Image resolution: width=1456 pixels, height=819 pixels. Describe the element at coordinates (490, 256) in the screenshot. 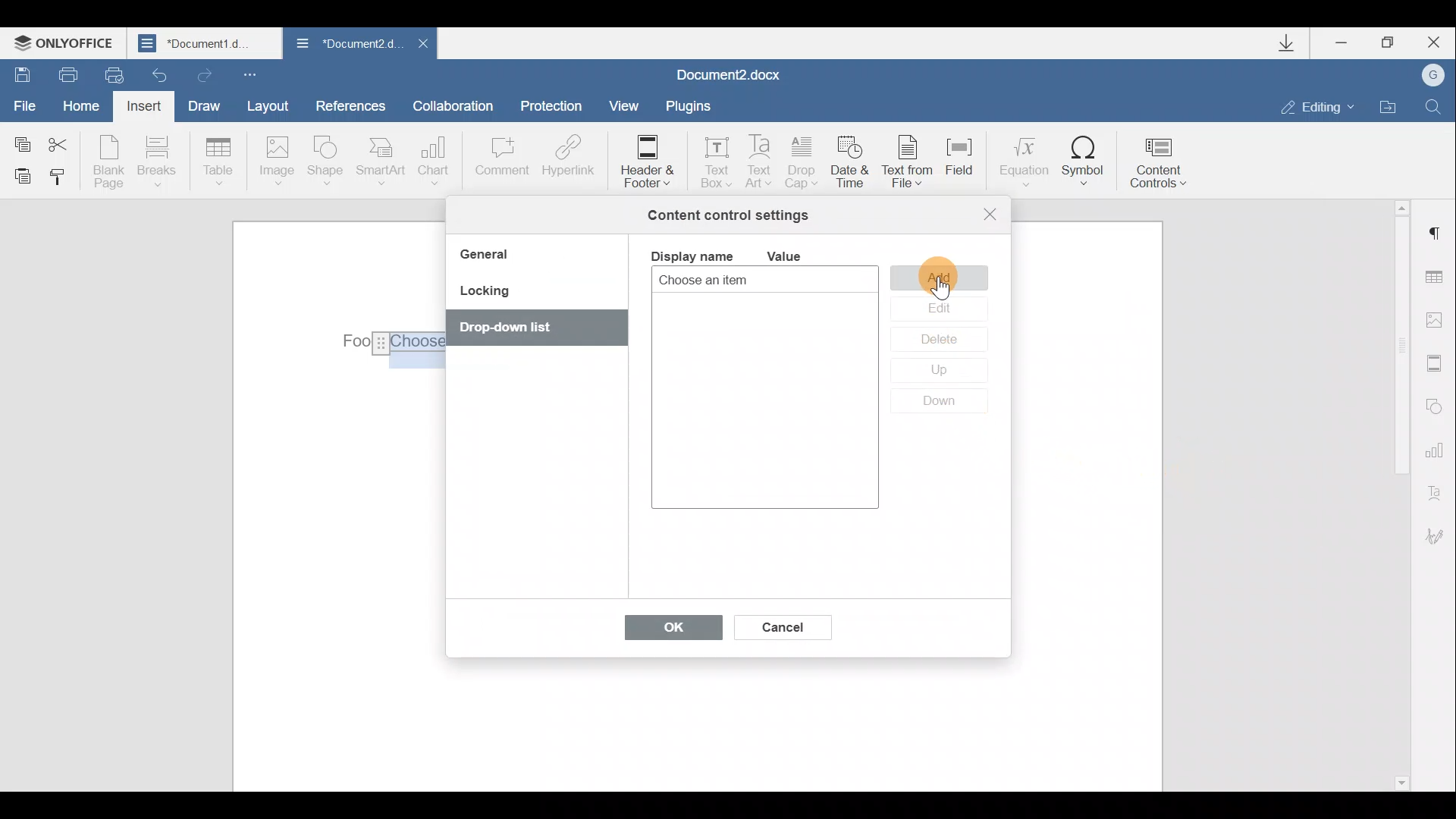

I see `General` at that location.